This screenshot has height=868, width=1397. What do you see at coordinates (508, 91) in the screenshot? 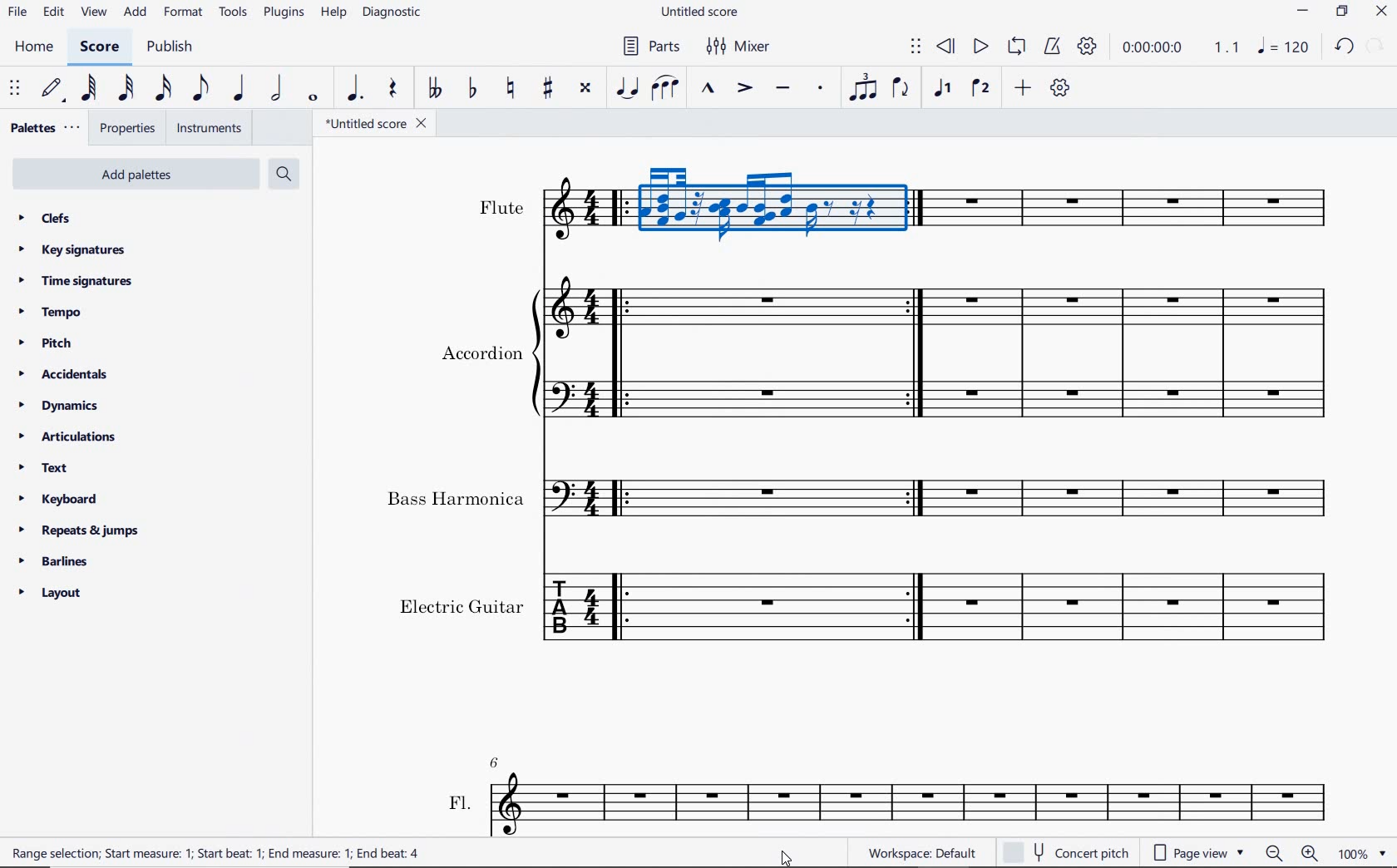
I see `toggle natural` at bounding box center [508, 91].